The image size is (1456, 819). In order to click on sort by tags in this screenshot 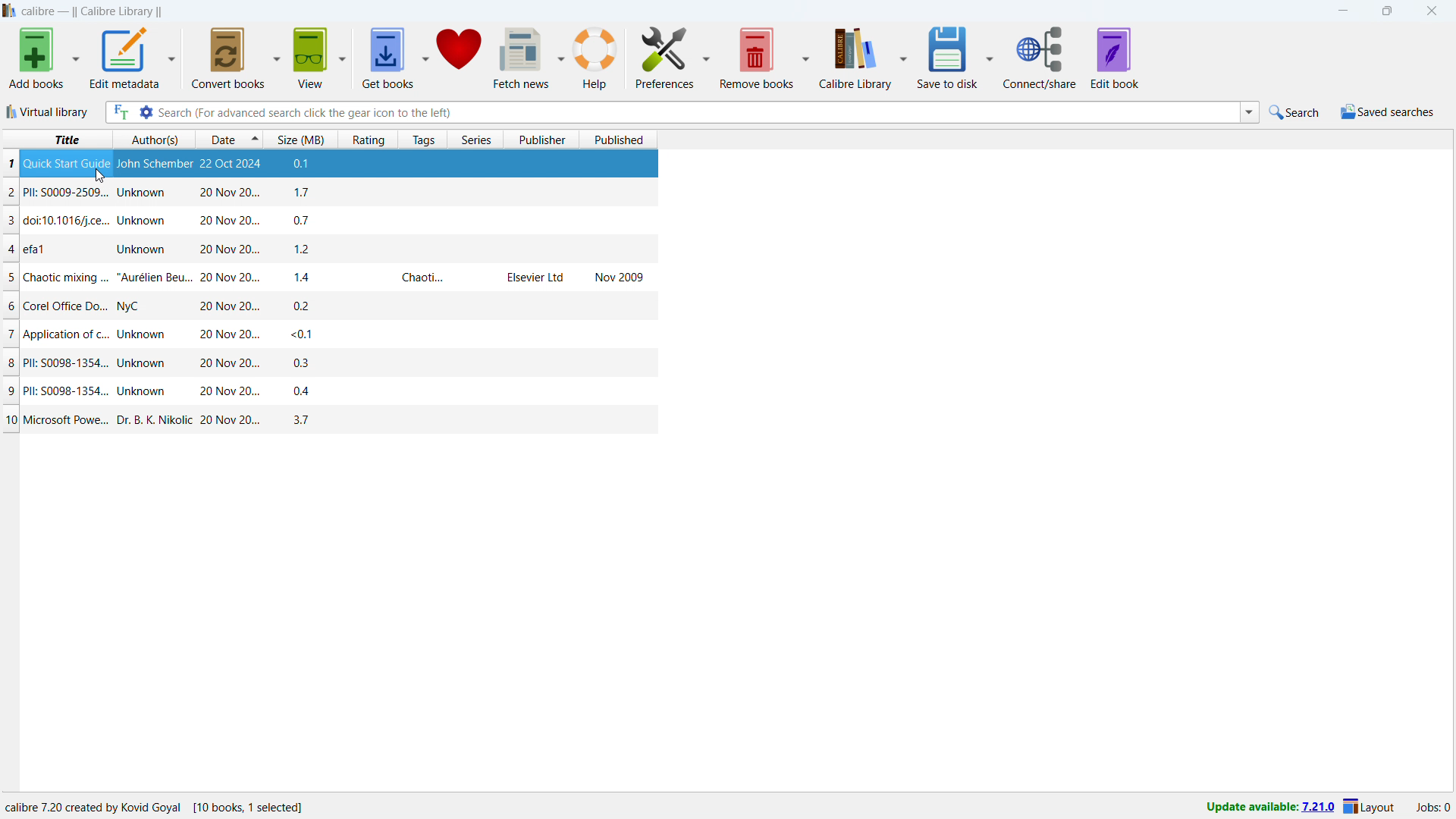, I will do `click(422, 139)`.